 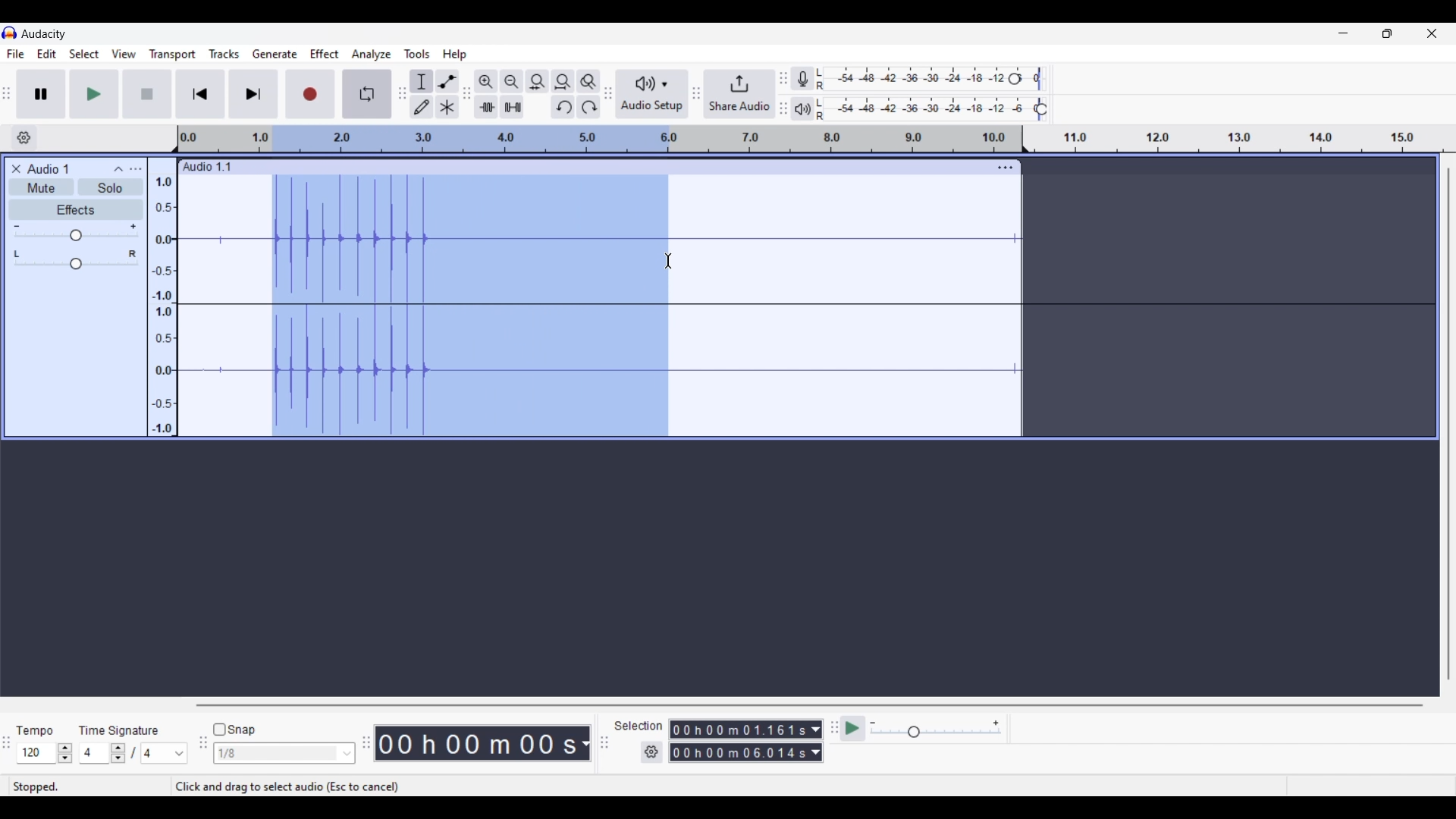 I want to click on Effects, so click(x=76, y=209).